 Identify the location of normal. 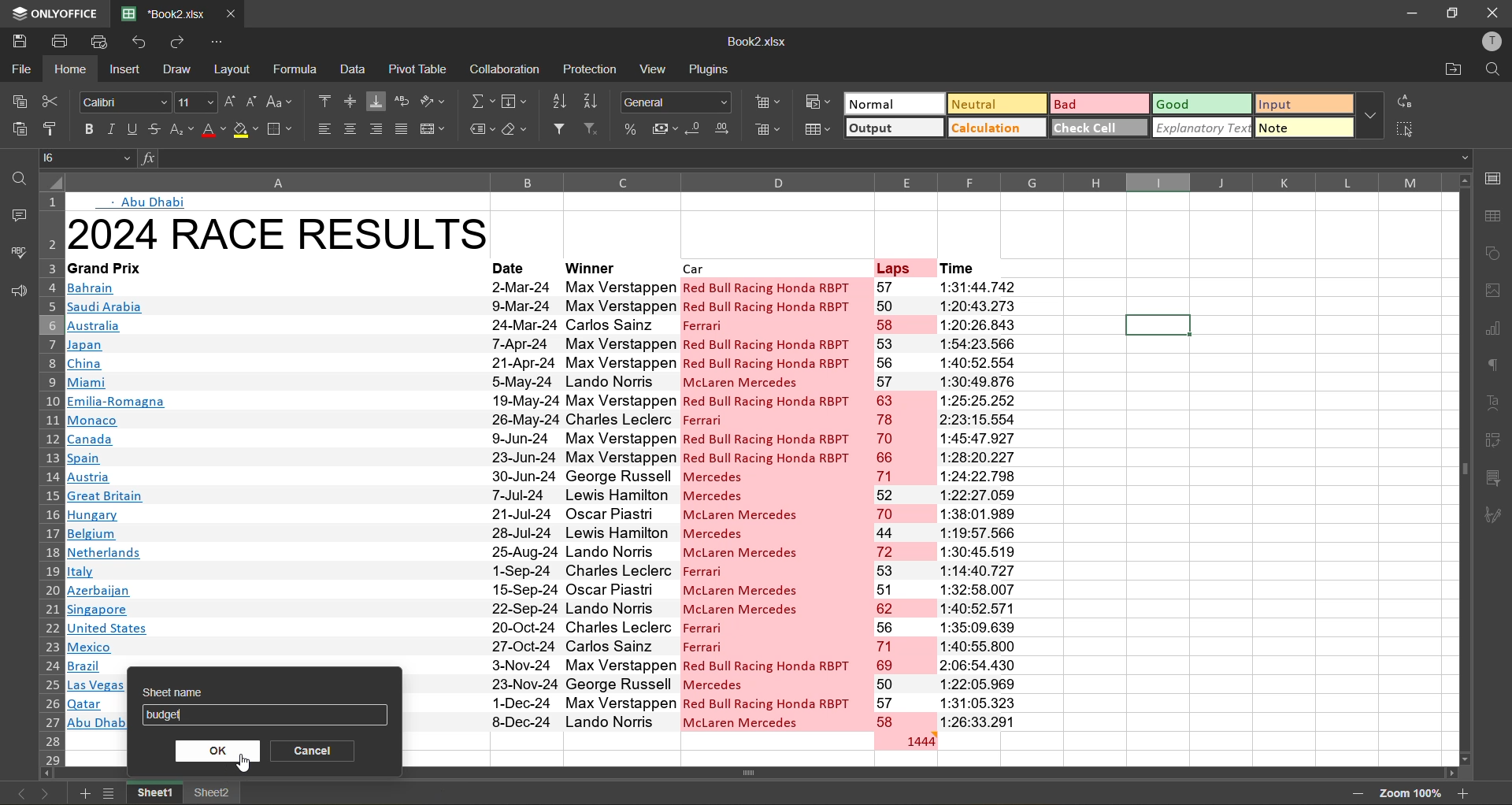
(892, 105).